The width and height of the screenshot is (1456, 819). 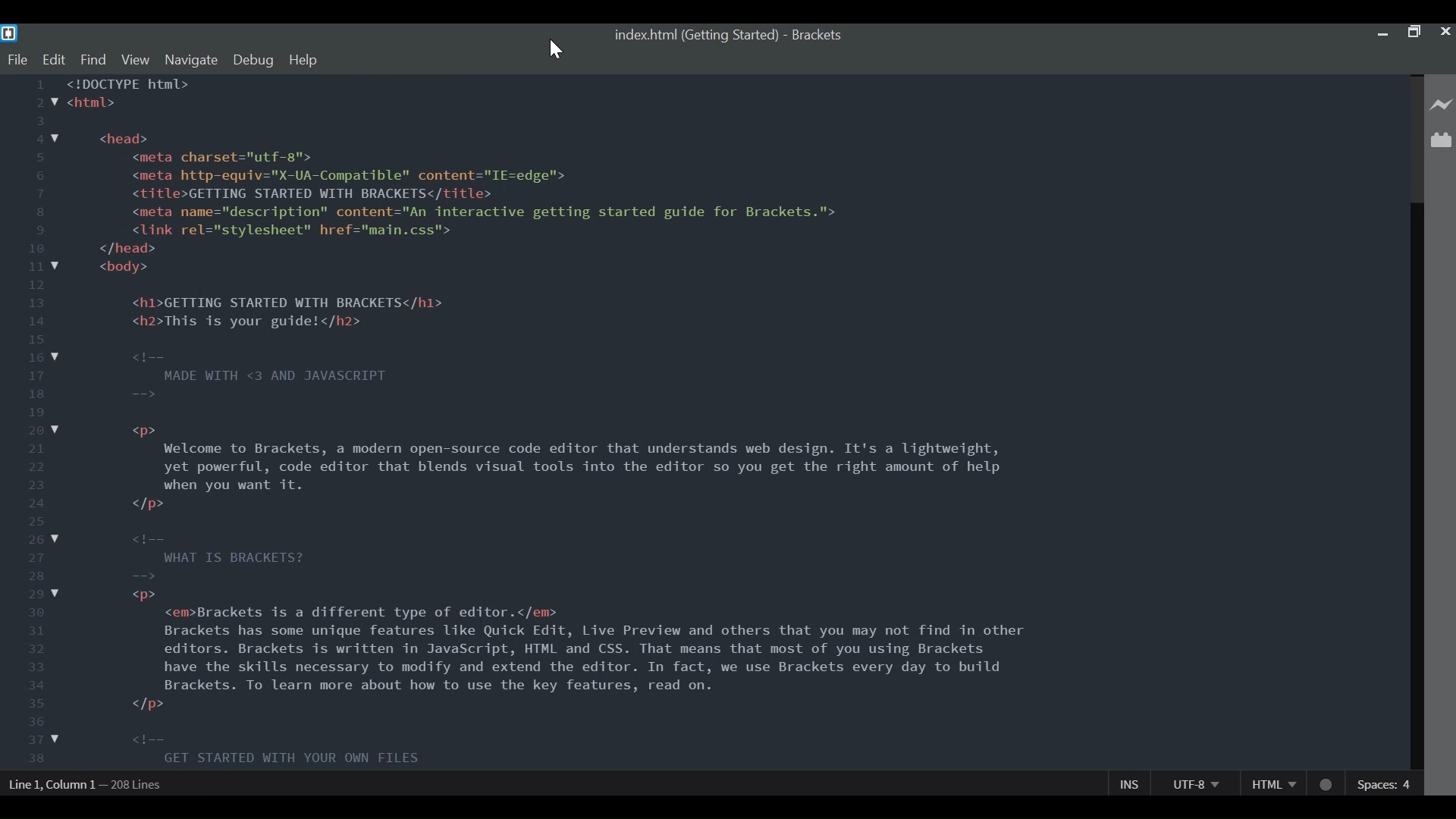 What do you see at coordinates (1386, 783) in the screenshot?
I see `Space: 4` at bounding box center [1386, 783].